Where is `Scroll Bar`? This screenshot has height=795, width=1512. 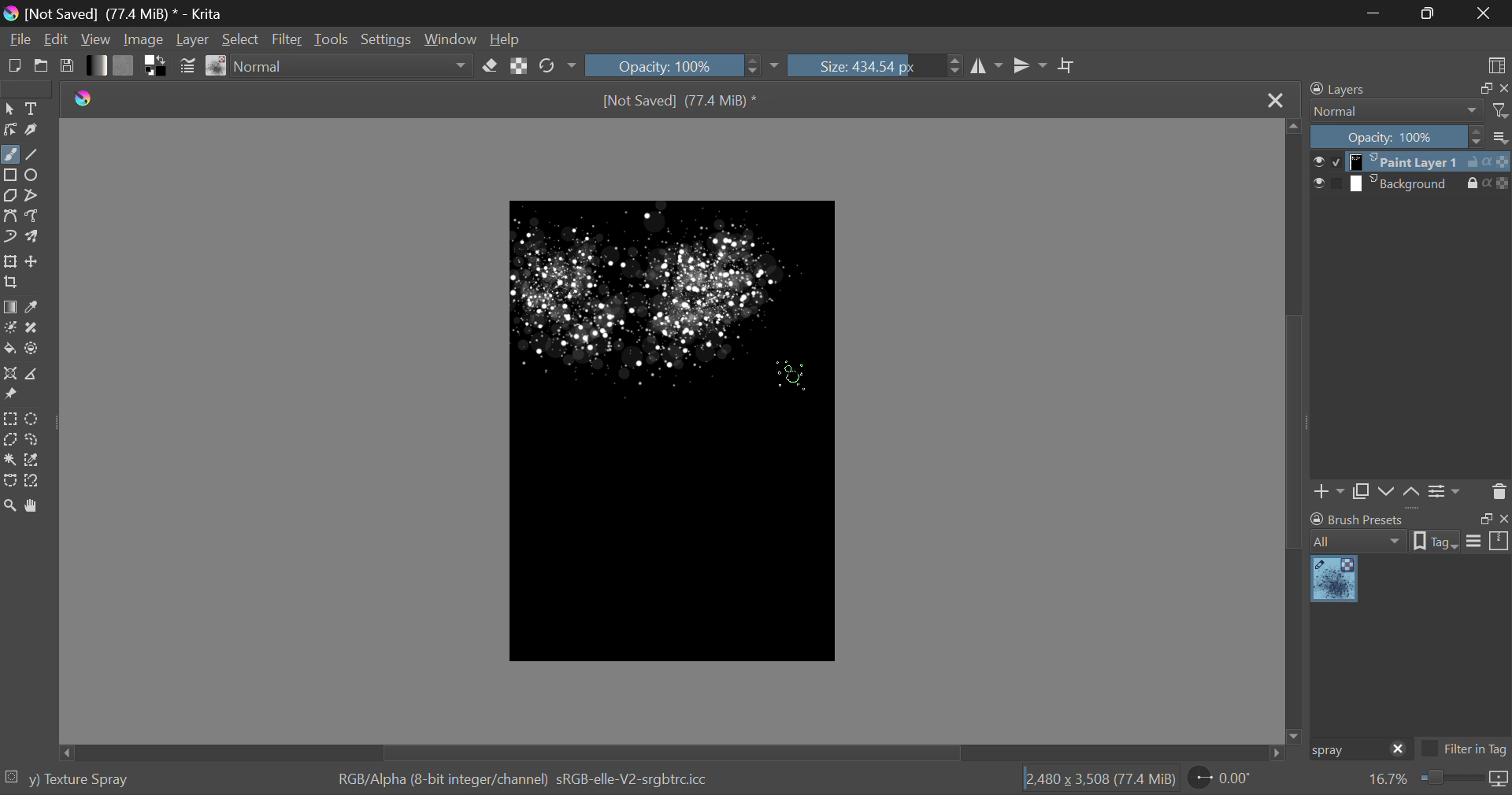
Scroll Bar is located at coordinates (1295, 429).